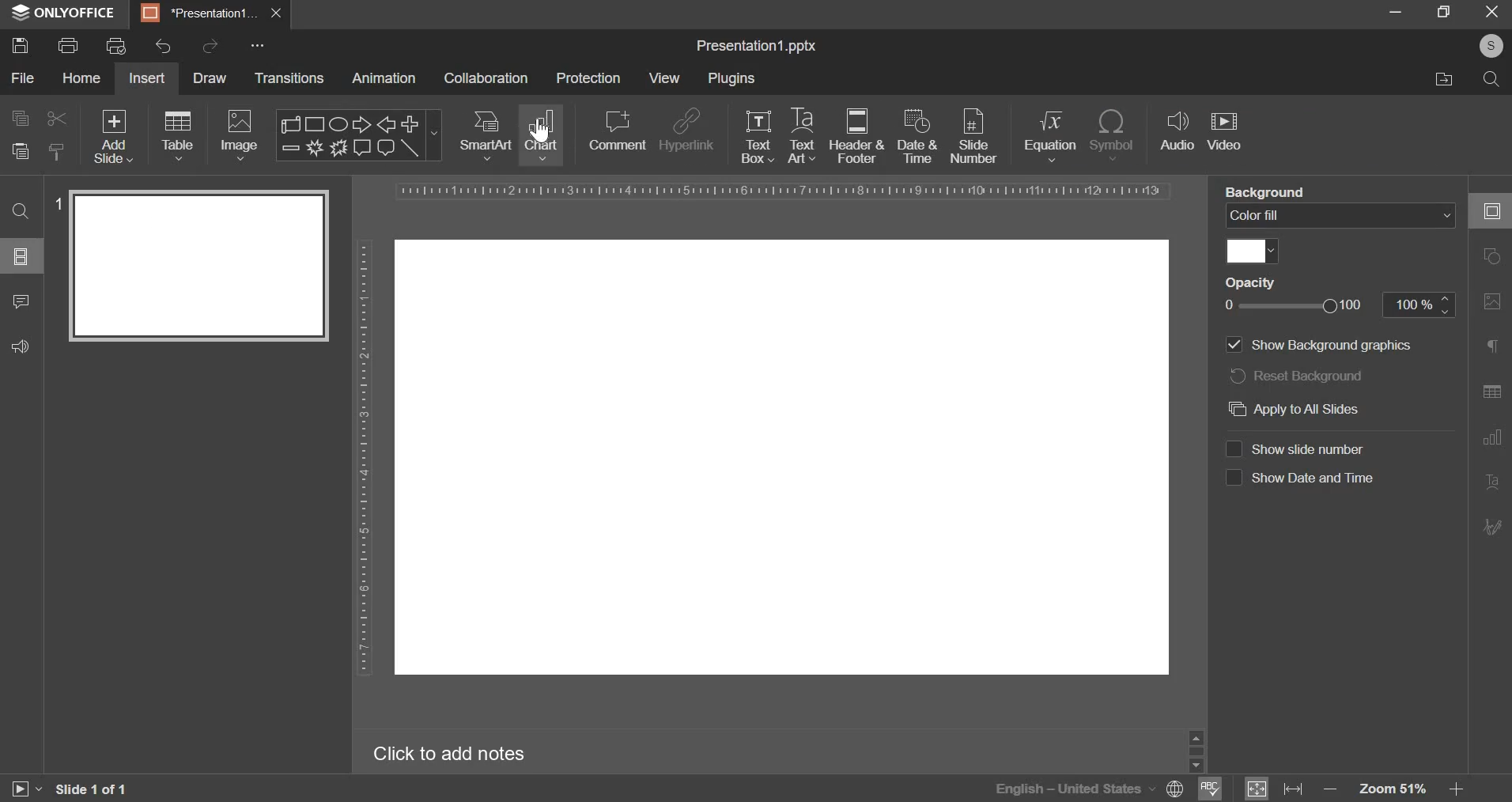 This screenshot has height=802, width=1512. Describe the element at coordinates (1396, 9) in the screenshot. I see `minimize` at that location.